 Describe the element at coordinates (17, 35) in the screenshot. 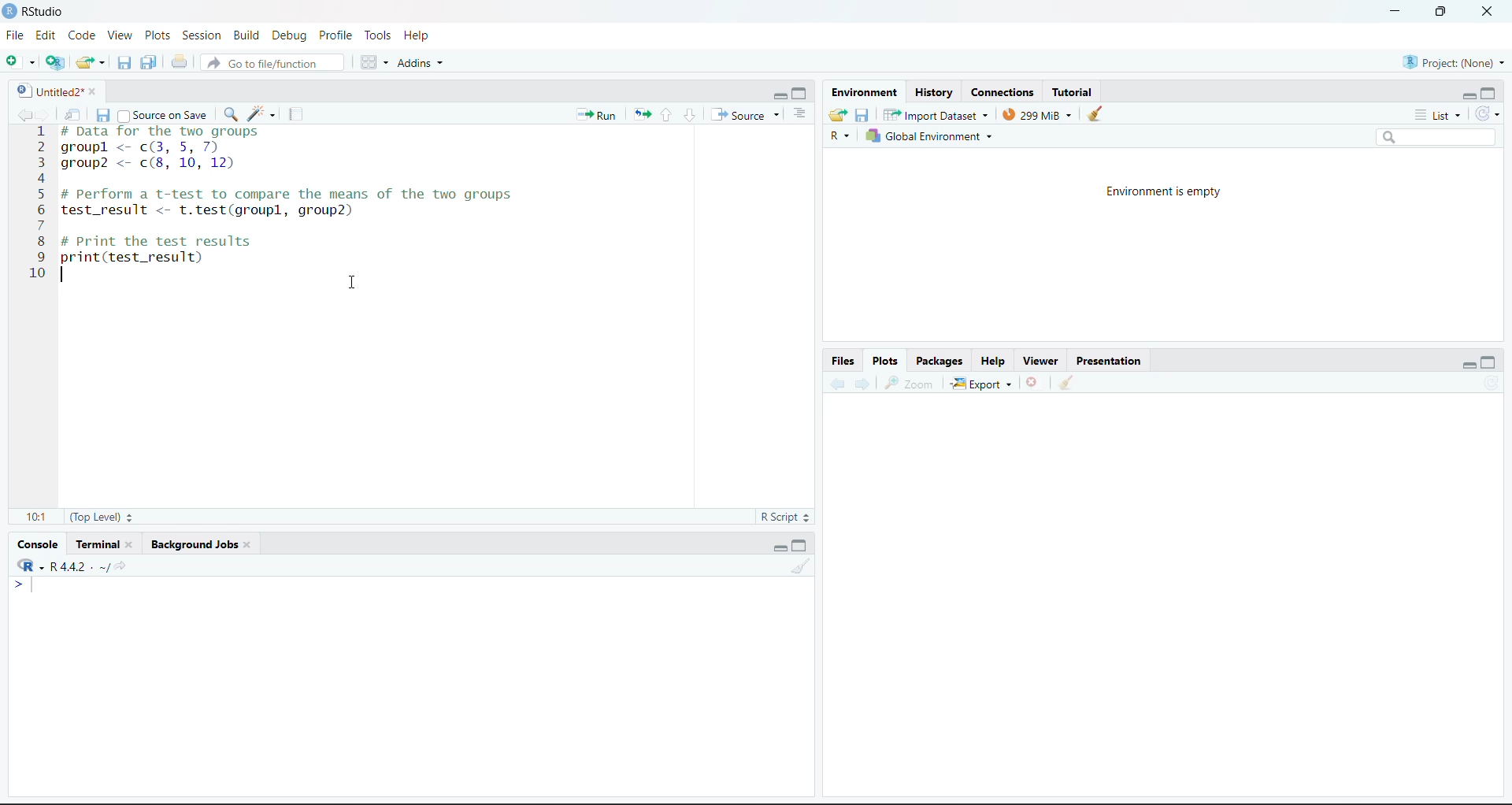

I see `File` at that location.